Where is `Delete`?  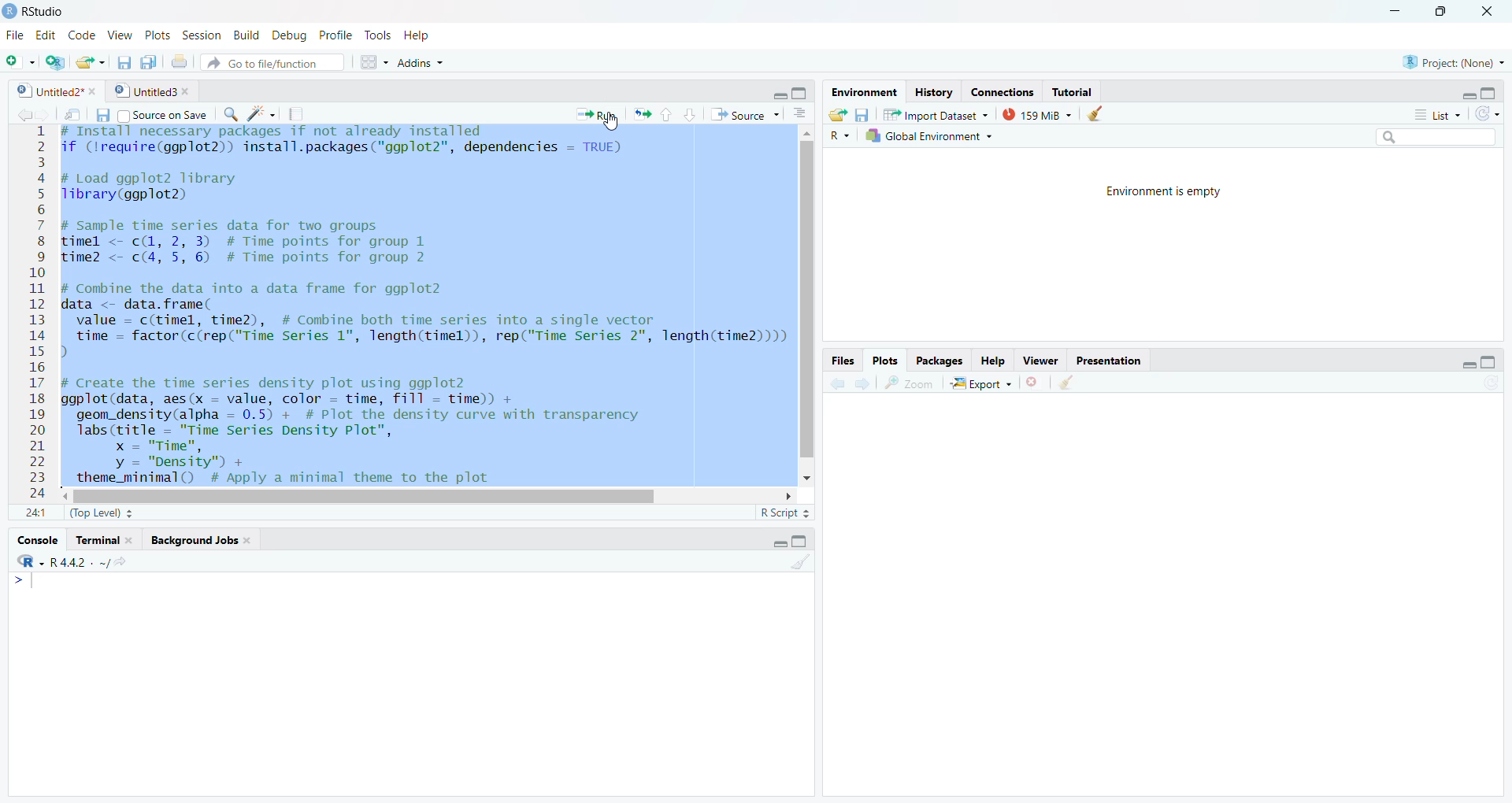
Delete is located at coordinates (1033, 383).